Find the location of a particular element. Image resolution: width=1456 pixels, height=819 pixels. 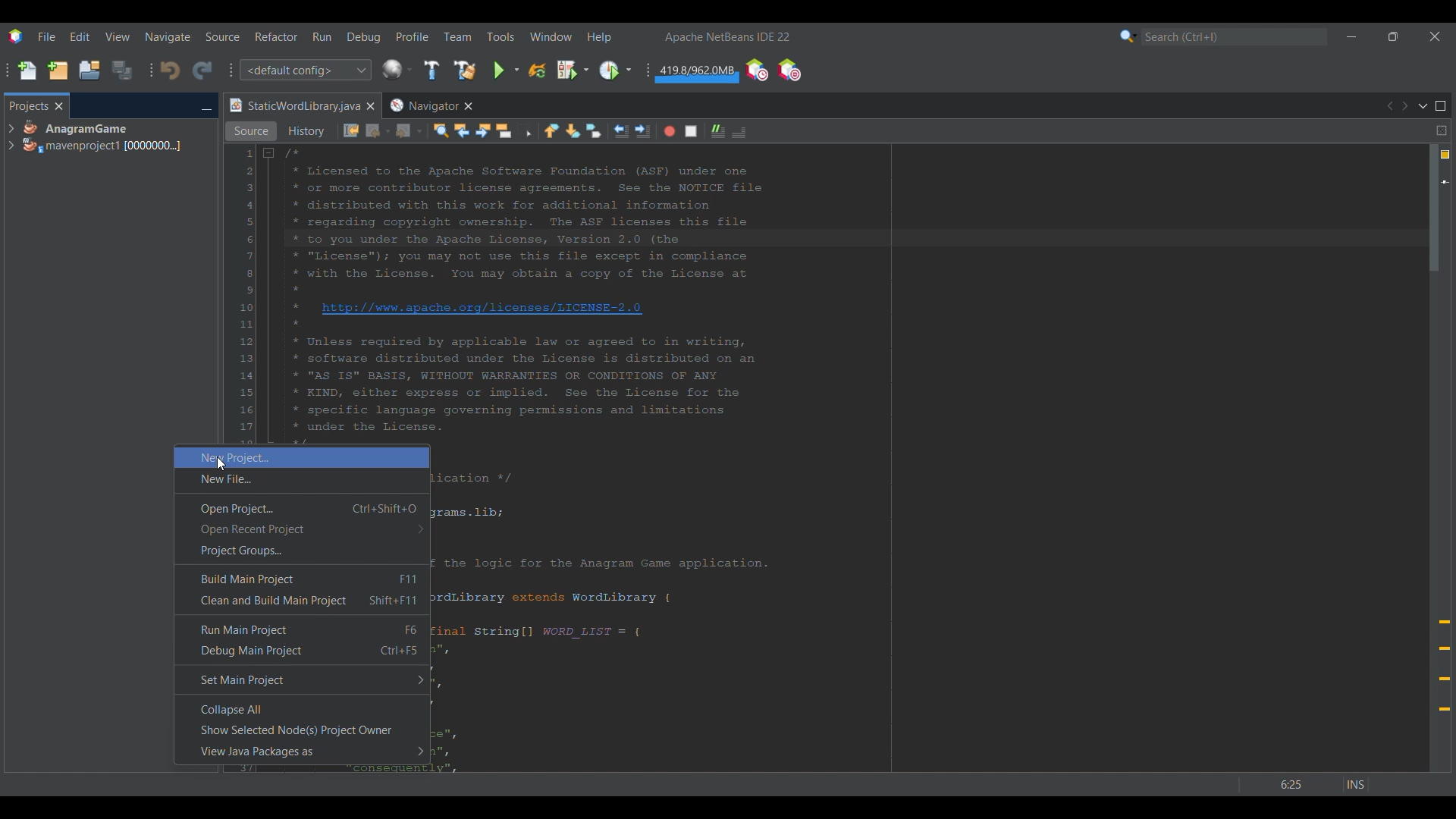

Close is located at coordinates (370, 106).